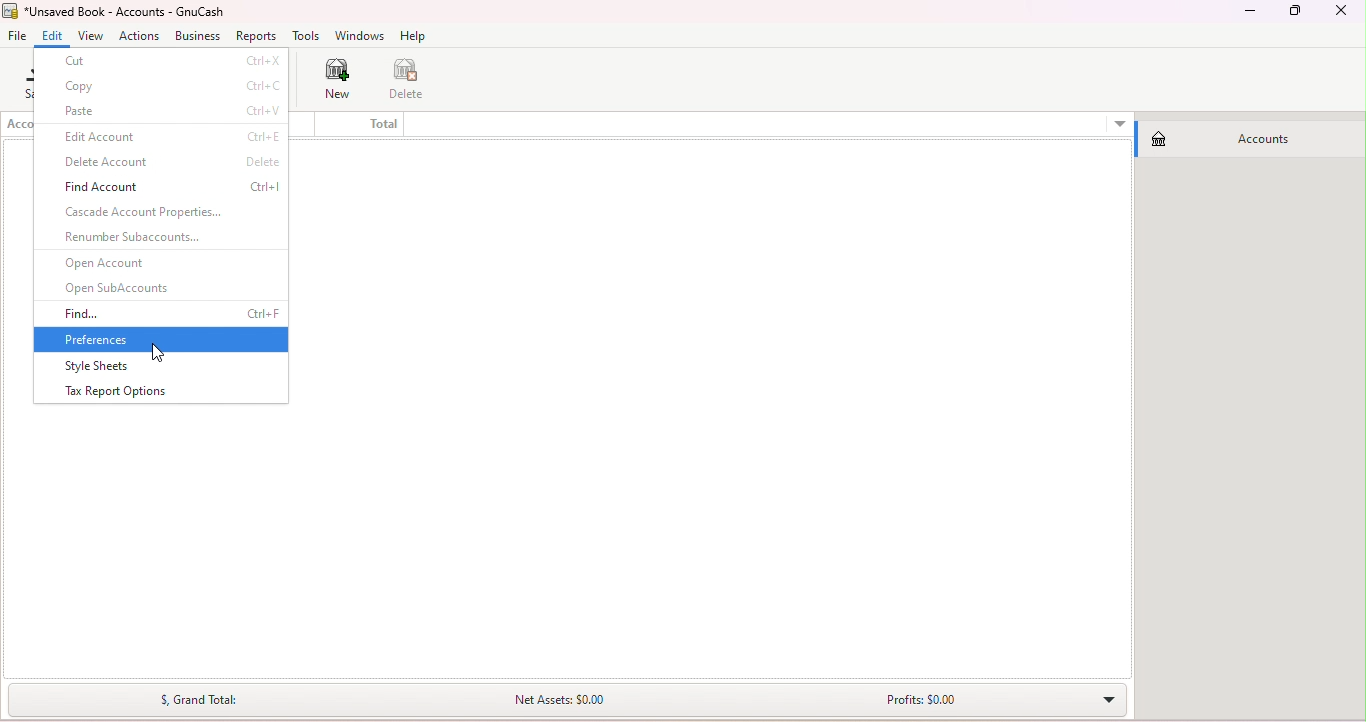 Image resolution: width=1366 pixels, height=722 pixels. What do you see at coordinates (144, 263) in the screenshot?
I see `Open accounts` at bounding box center [144, 263].